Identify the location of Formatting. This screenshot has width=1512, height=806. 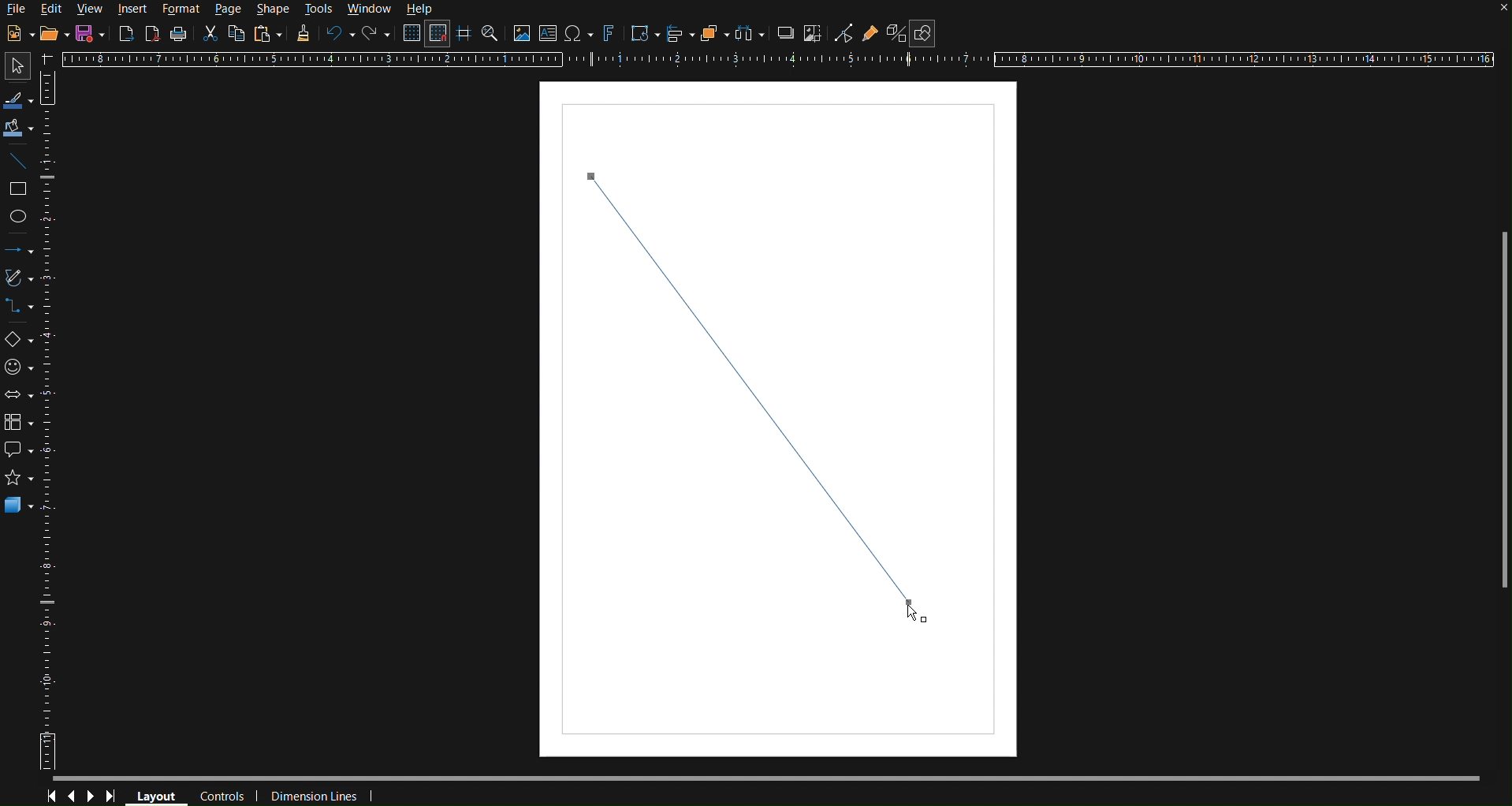
(303, 35).